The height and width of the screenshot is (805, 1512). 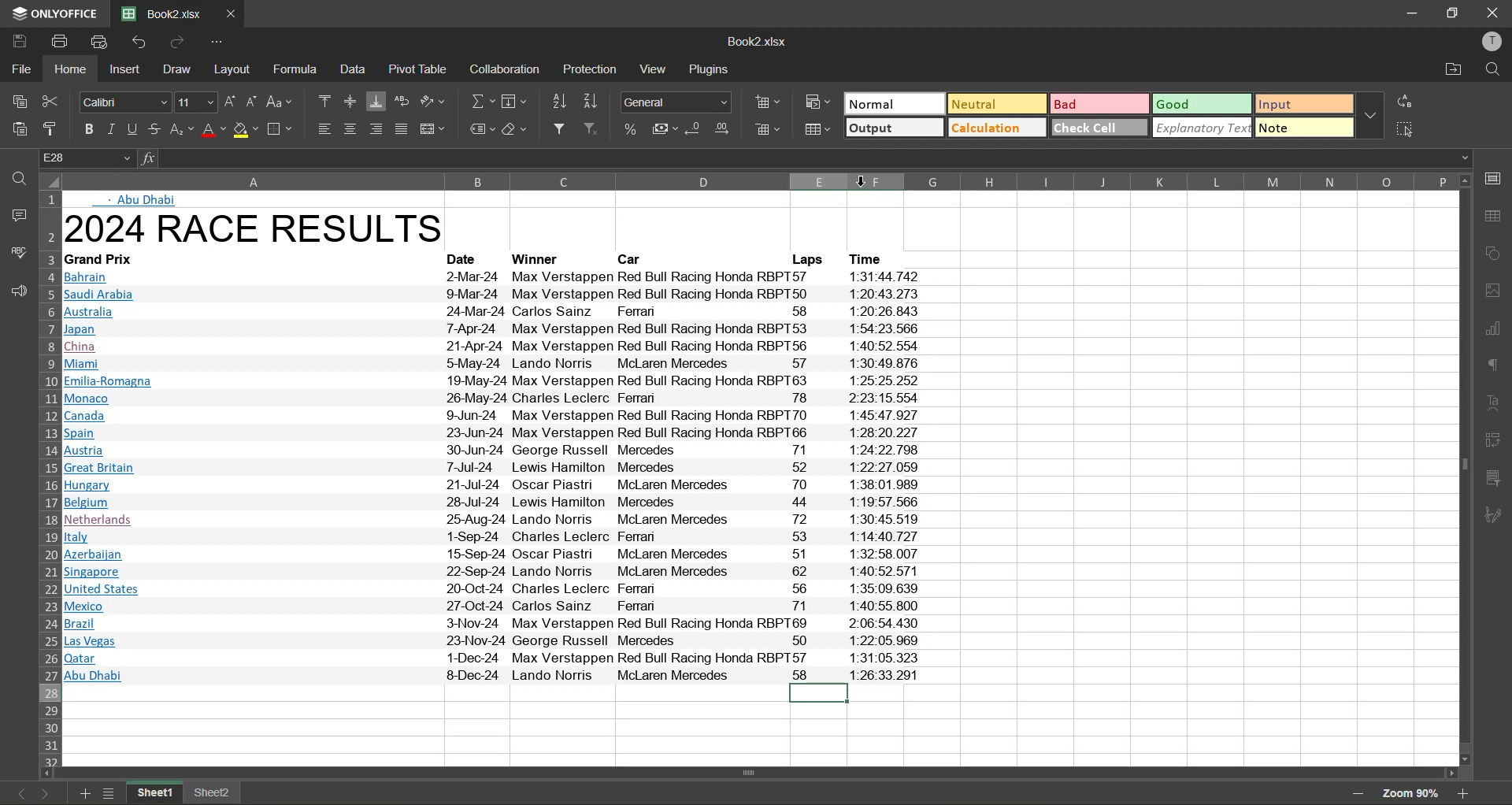 I want to click on zoom out, so click(x=1360, y=793).